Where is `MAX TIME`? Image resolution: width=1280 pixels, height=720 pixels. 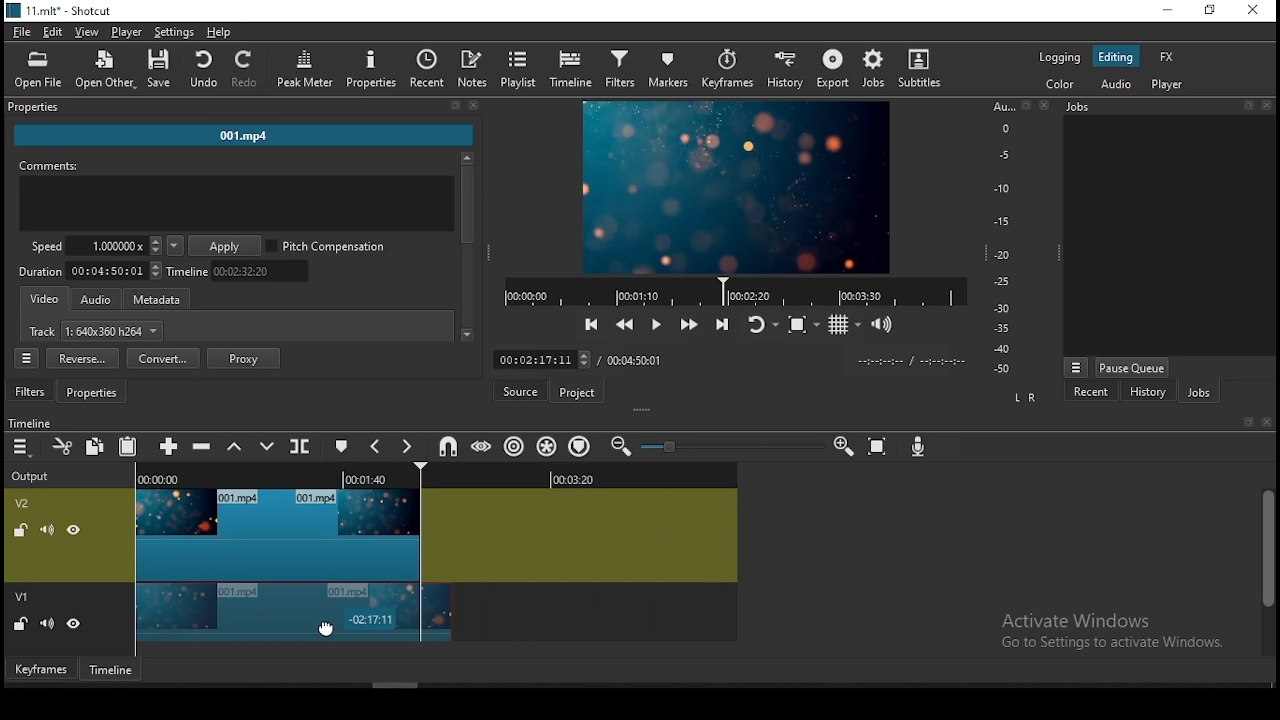 MAX TIME is located at coordinates (635, 360).